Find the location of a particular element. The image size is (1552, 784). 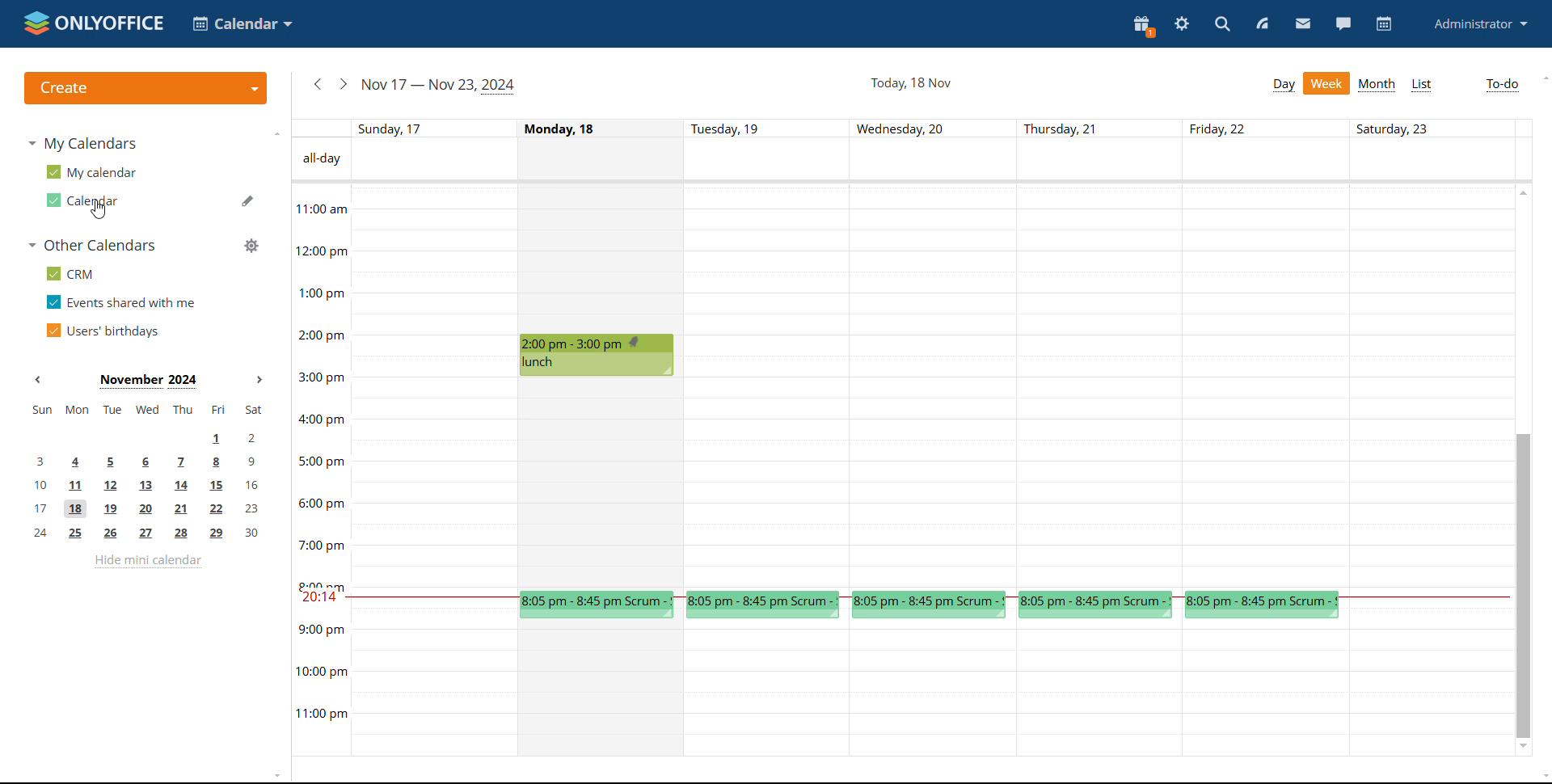

logo is located at coordinates (95, 24).